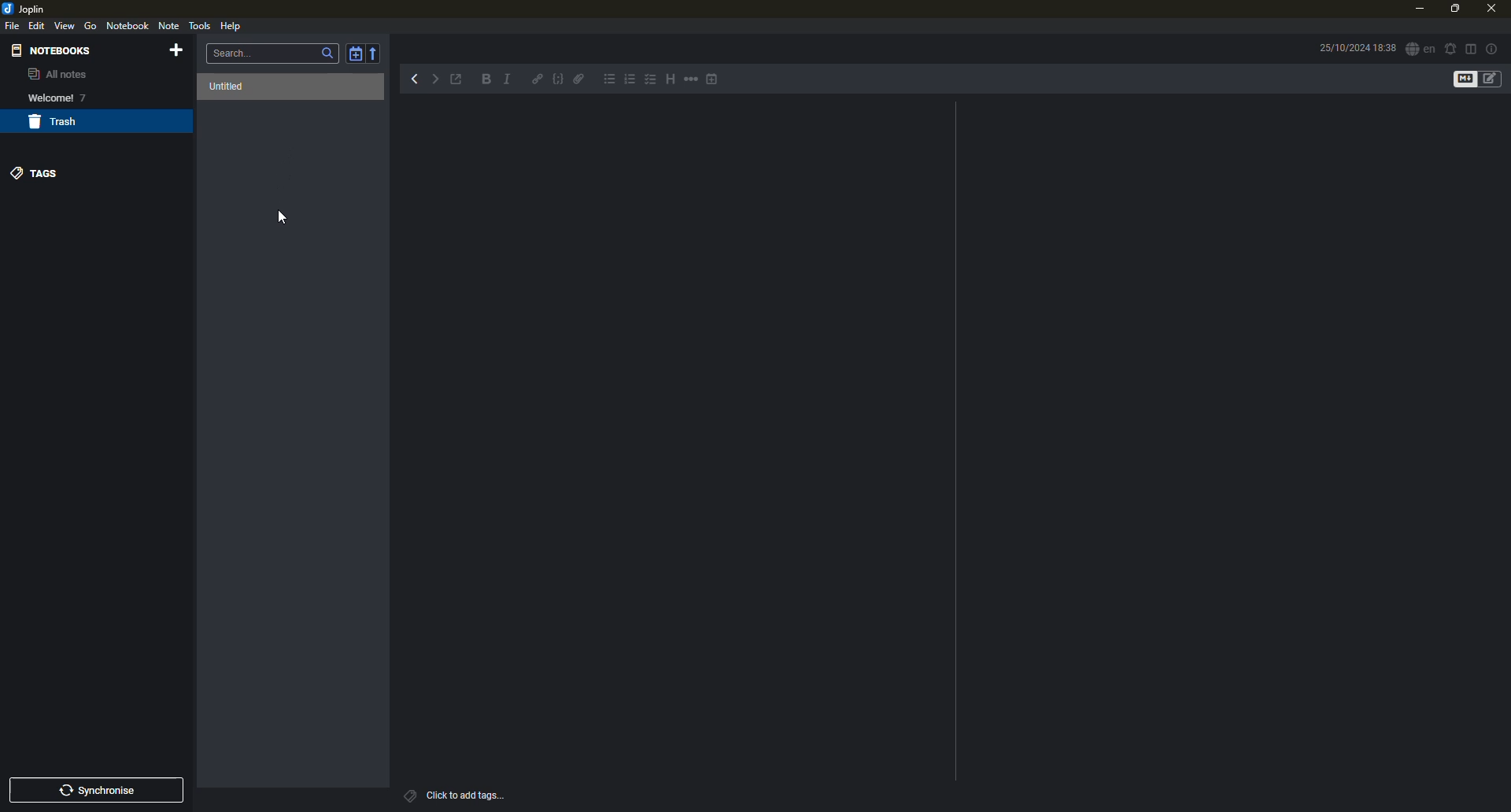 The width and height of the screenshot is (1511, 812). I want to click on attach file, so click(581, 82).